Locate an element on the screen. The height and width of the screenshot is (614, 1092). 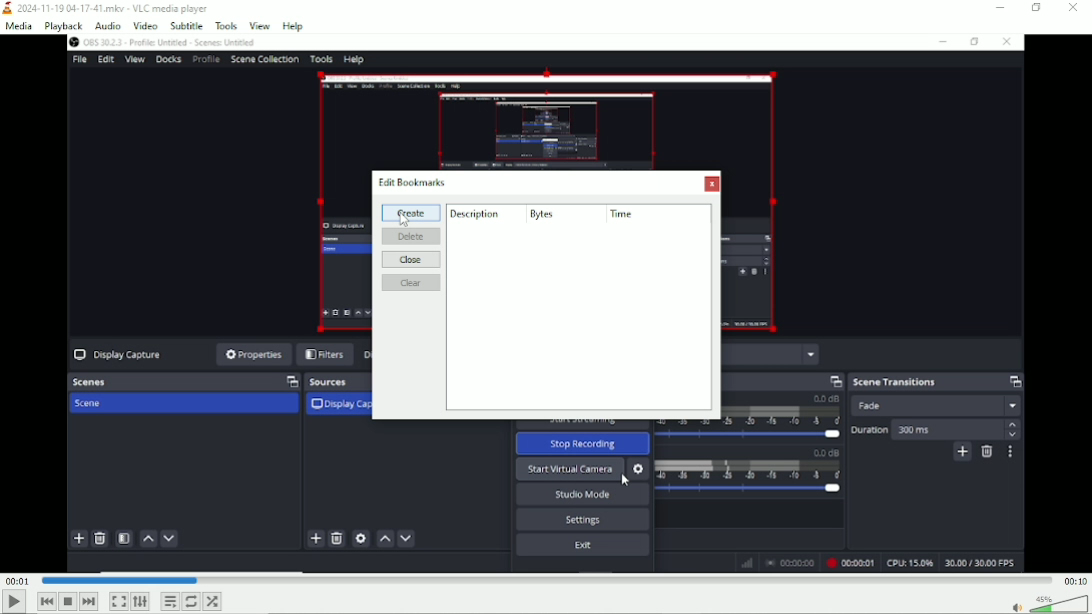
00:01 is located at coordinates (17, 579).